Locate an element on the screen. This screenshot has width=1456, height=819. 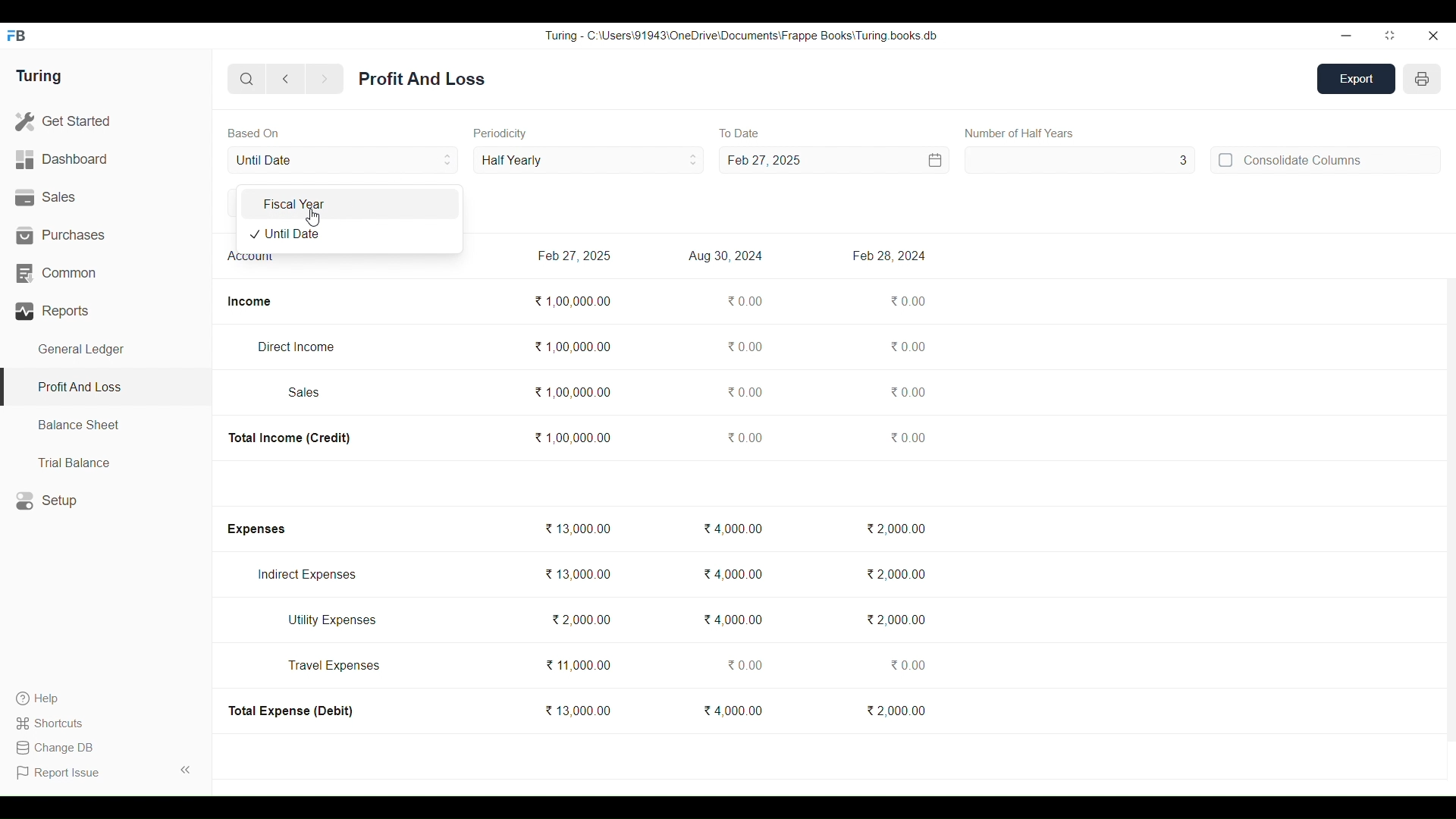
Sales is located at coordinates (105, 198).